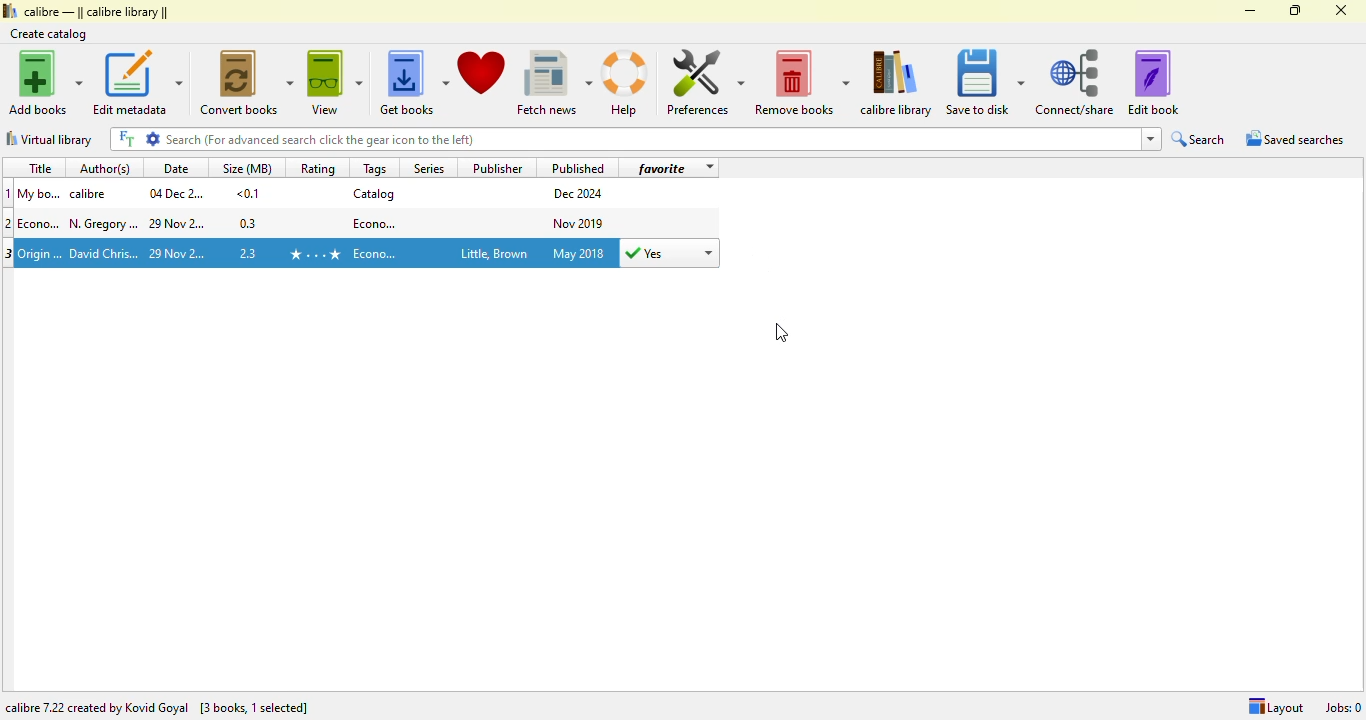 The width and height of the screenshot is (1366, 720). What do you see at coordinates (248, 82) in the screenshot?
I see `convert books` at bounding box center [248, 82].